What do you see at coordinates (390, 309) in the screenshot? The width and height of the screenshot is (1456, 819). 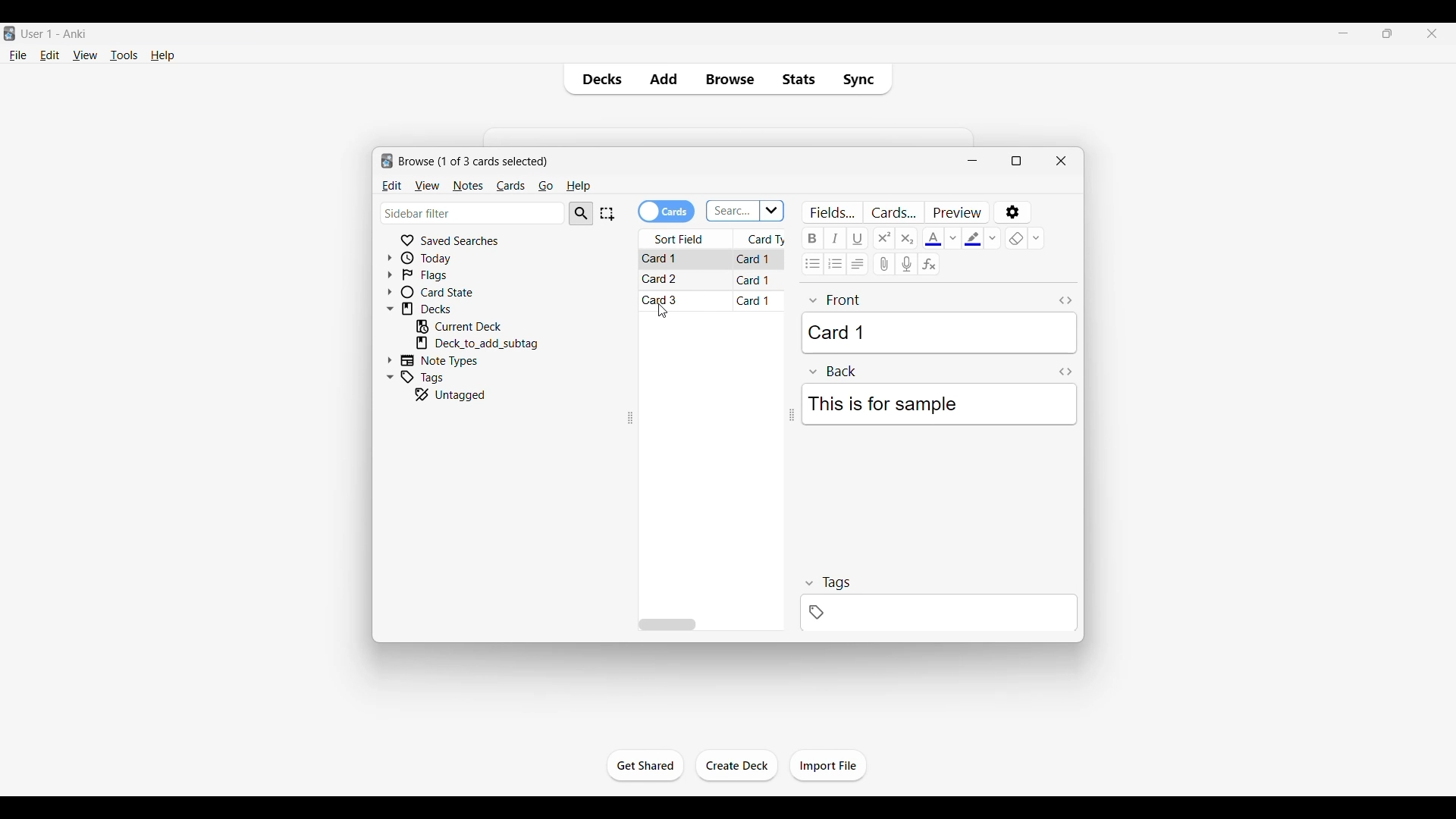 I see `Click to collapse Decks` at bounding box center [390, 309].